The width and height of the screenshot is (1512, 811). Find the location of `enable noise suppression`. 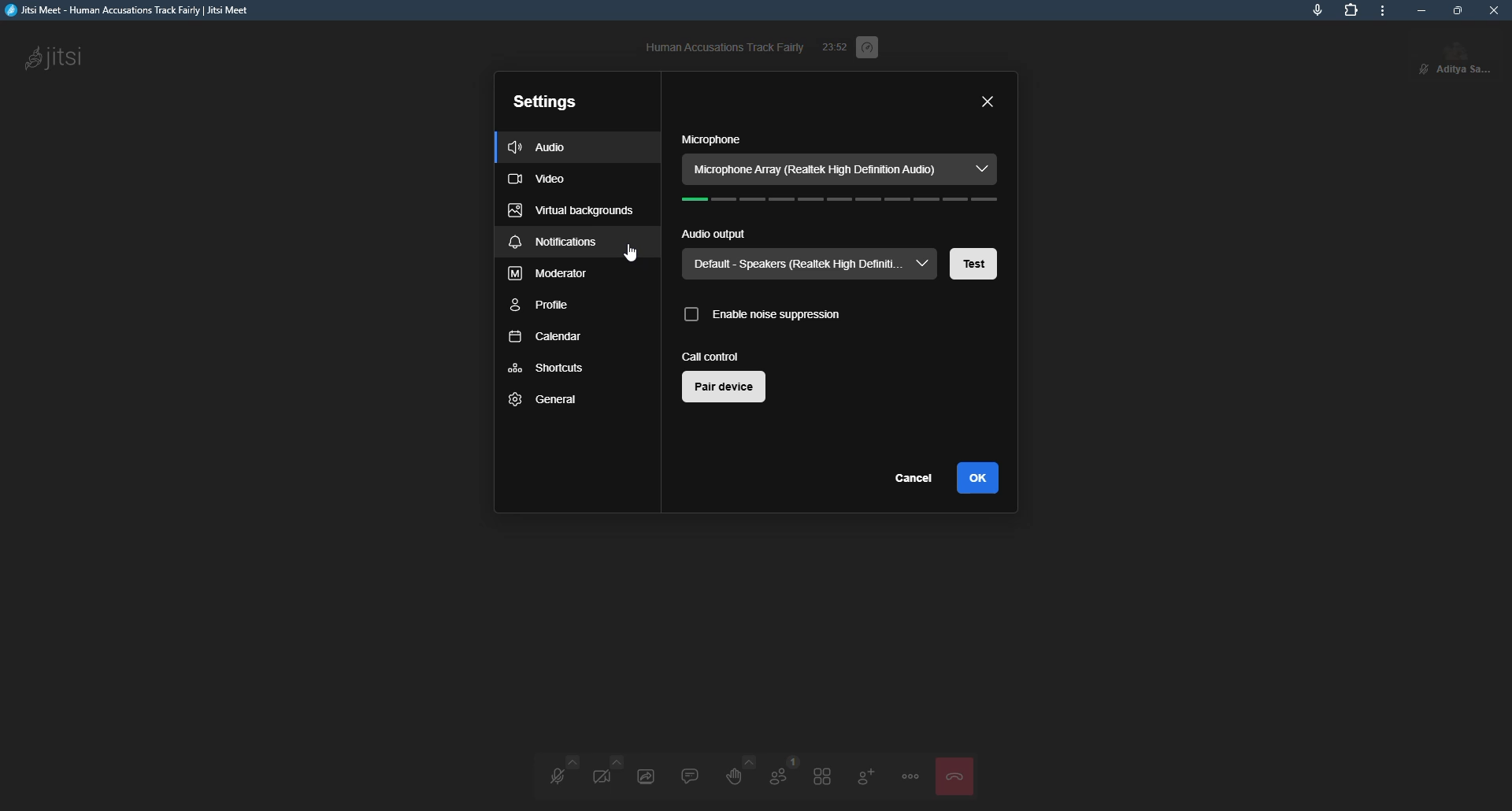

enable noise suppression is located at coordinates (763, 316).